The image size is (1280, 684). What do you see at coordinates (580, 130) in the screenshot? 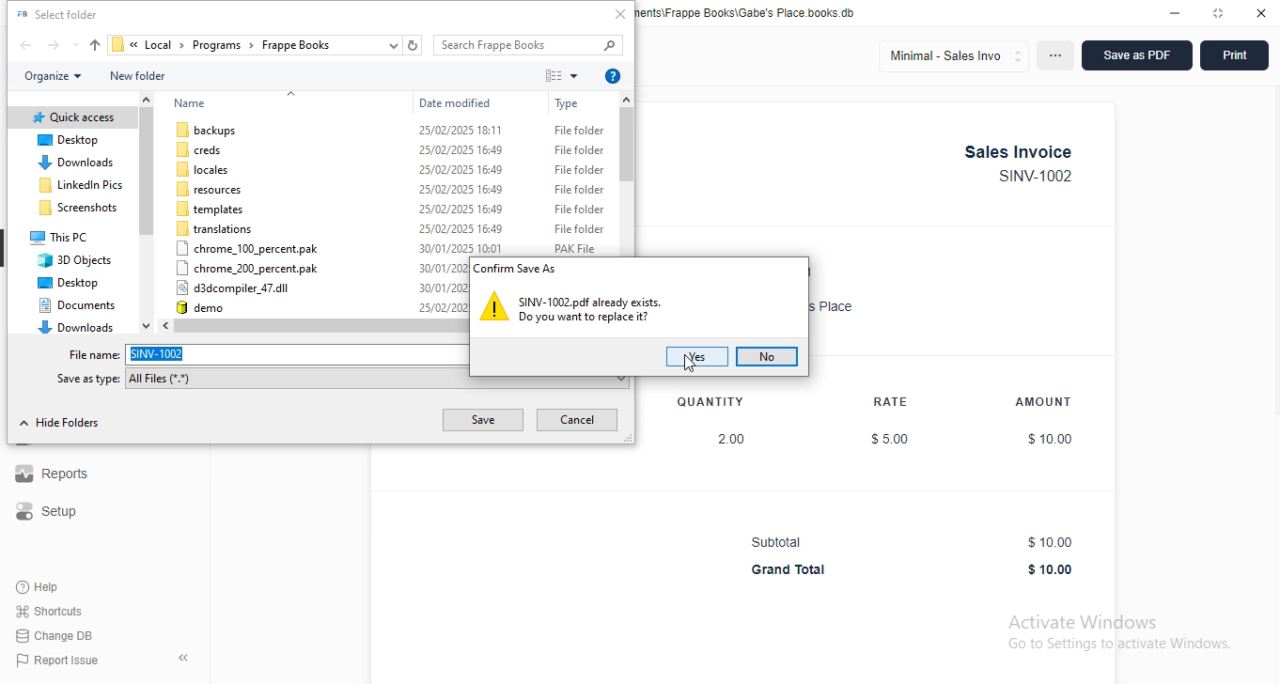
I see `file folder` at bounding box center [580, 130].